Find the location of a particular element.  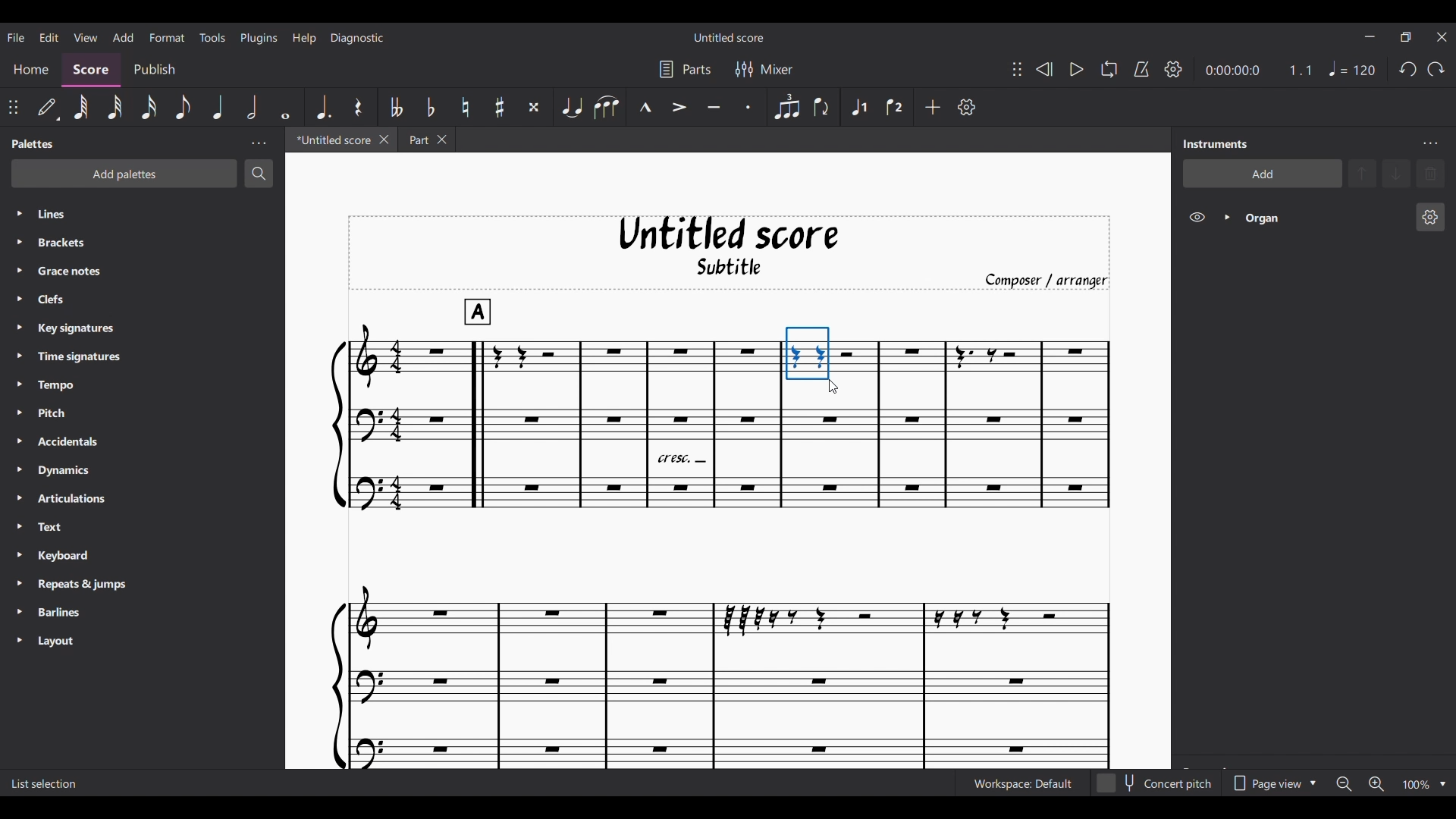

Augmentation dot is located at coordinates (323, 106).